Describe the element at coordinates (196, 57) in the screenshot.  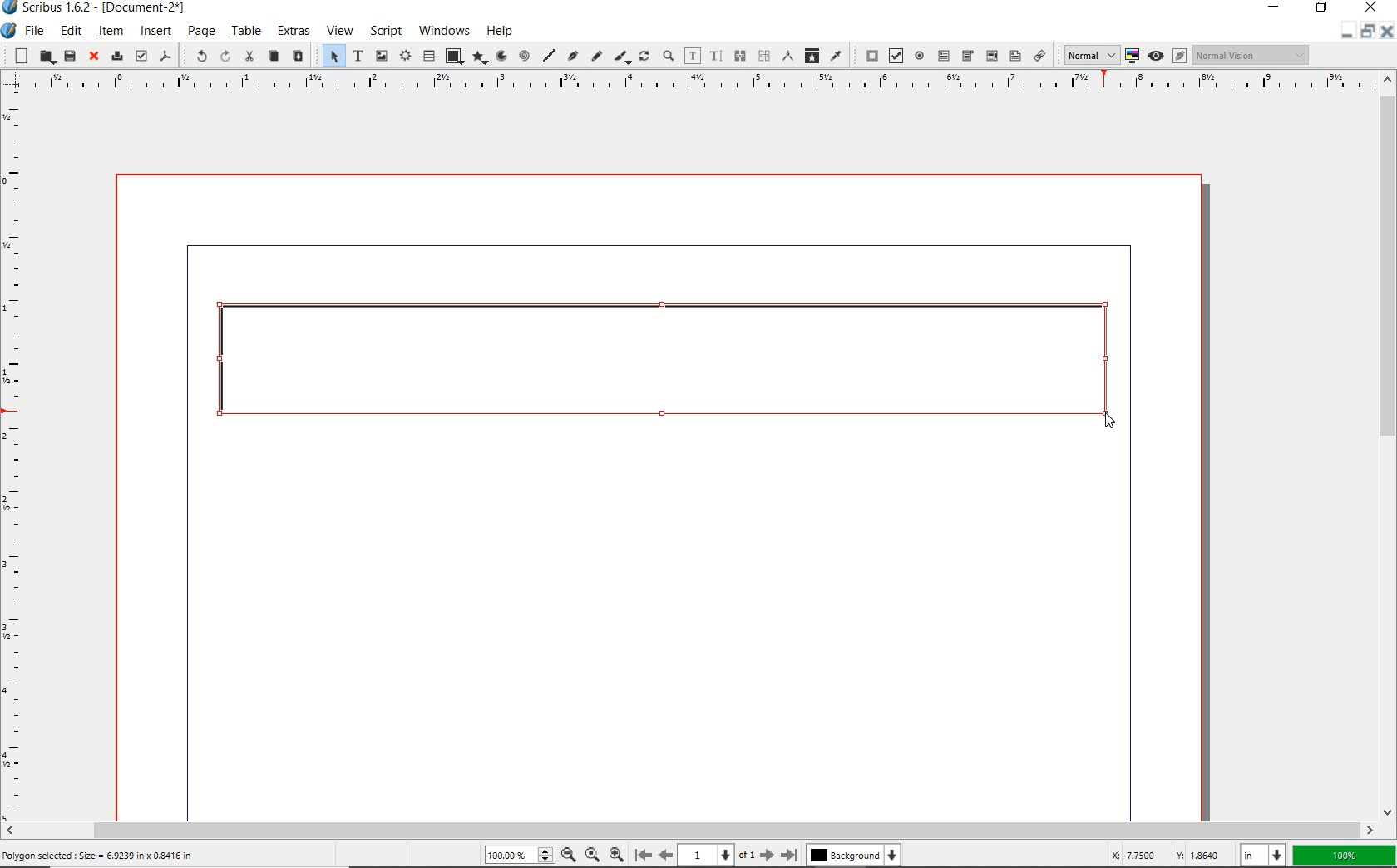
I see `undo` at that location.